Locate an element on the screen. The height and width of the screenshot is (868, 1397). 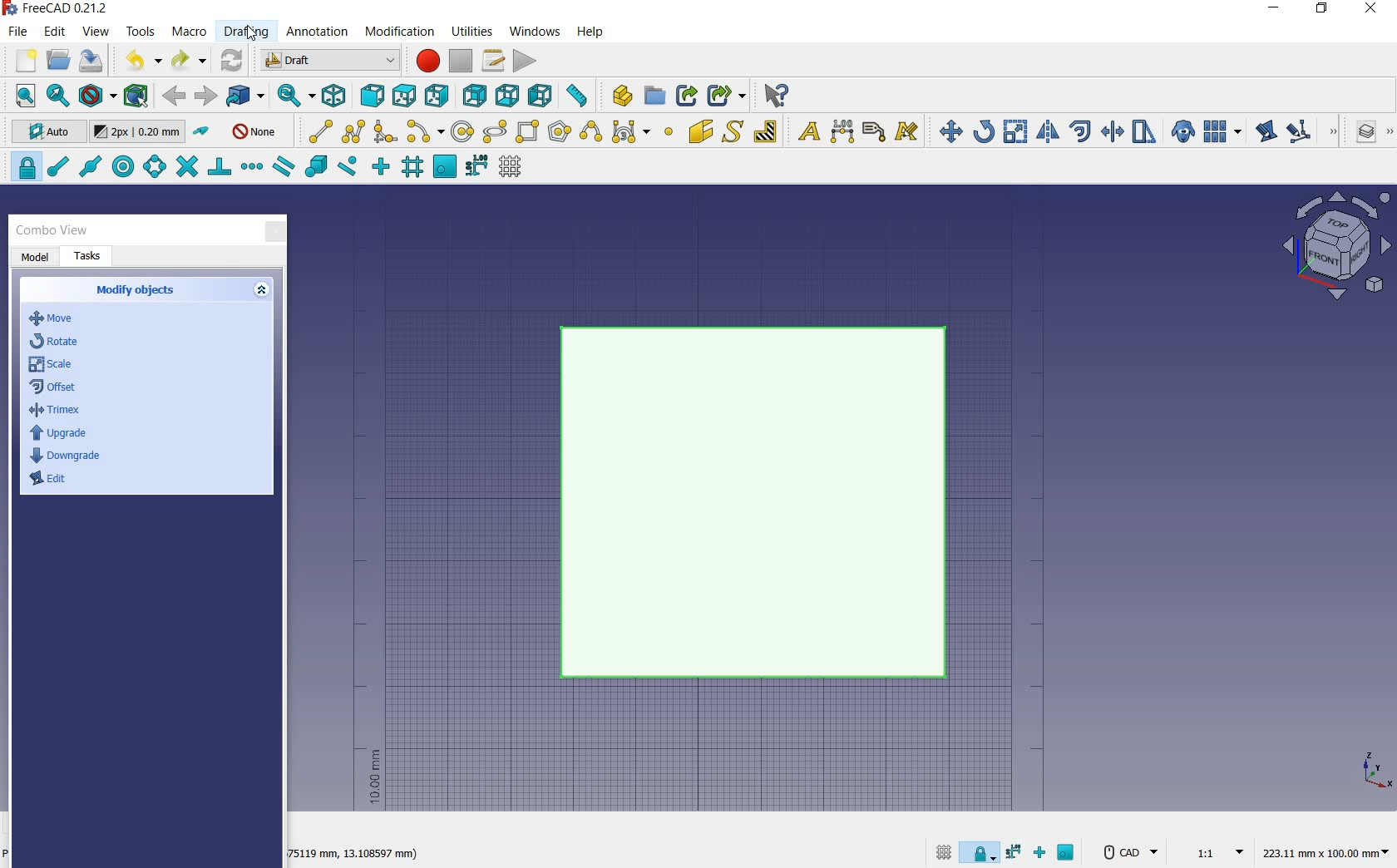
draft utility tools is located at coordinates (1388, 133).